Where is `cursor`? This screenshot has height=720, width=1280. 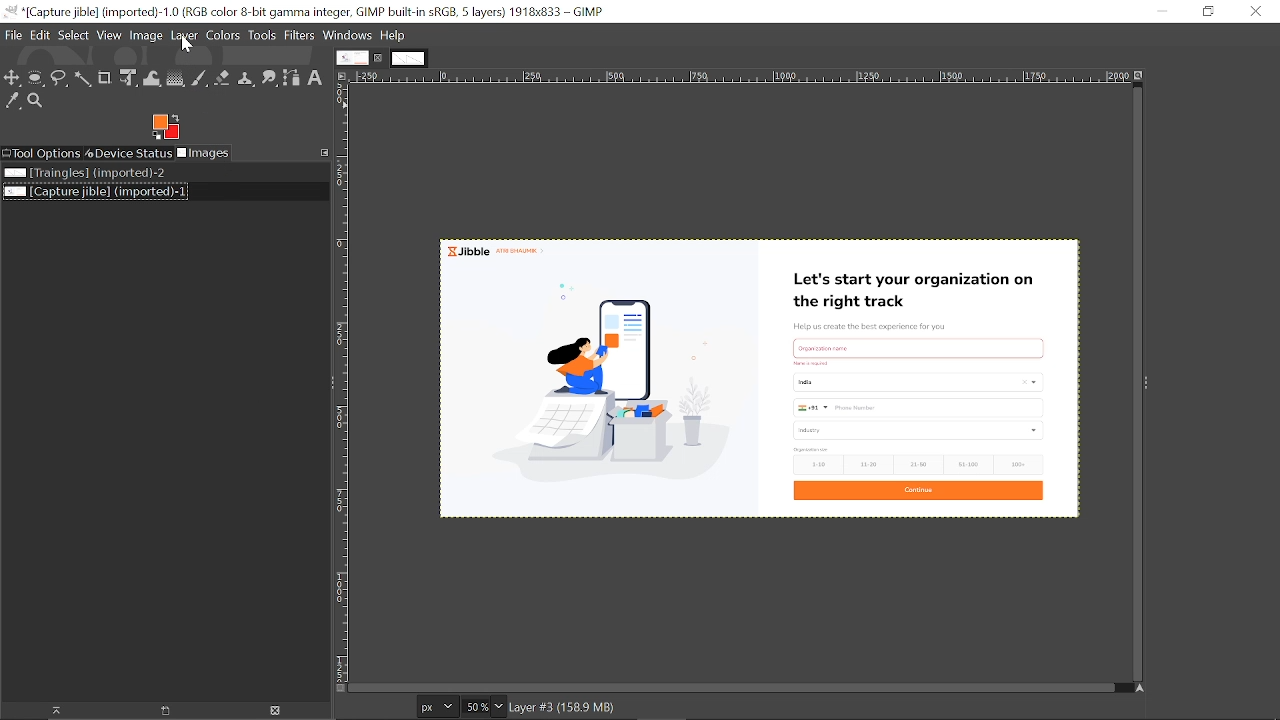
cursor is located at coordinates (191, 47).